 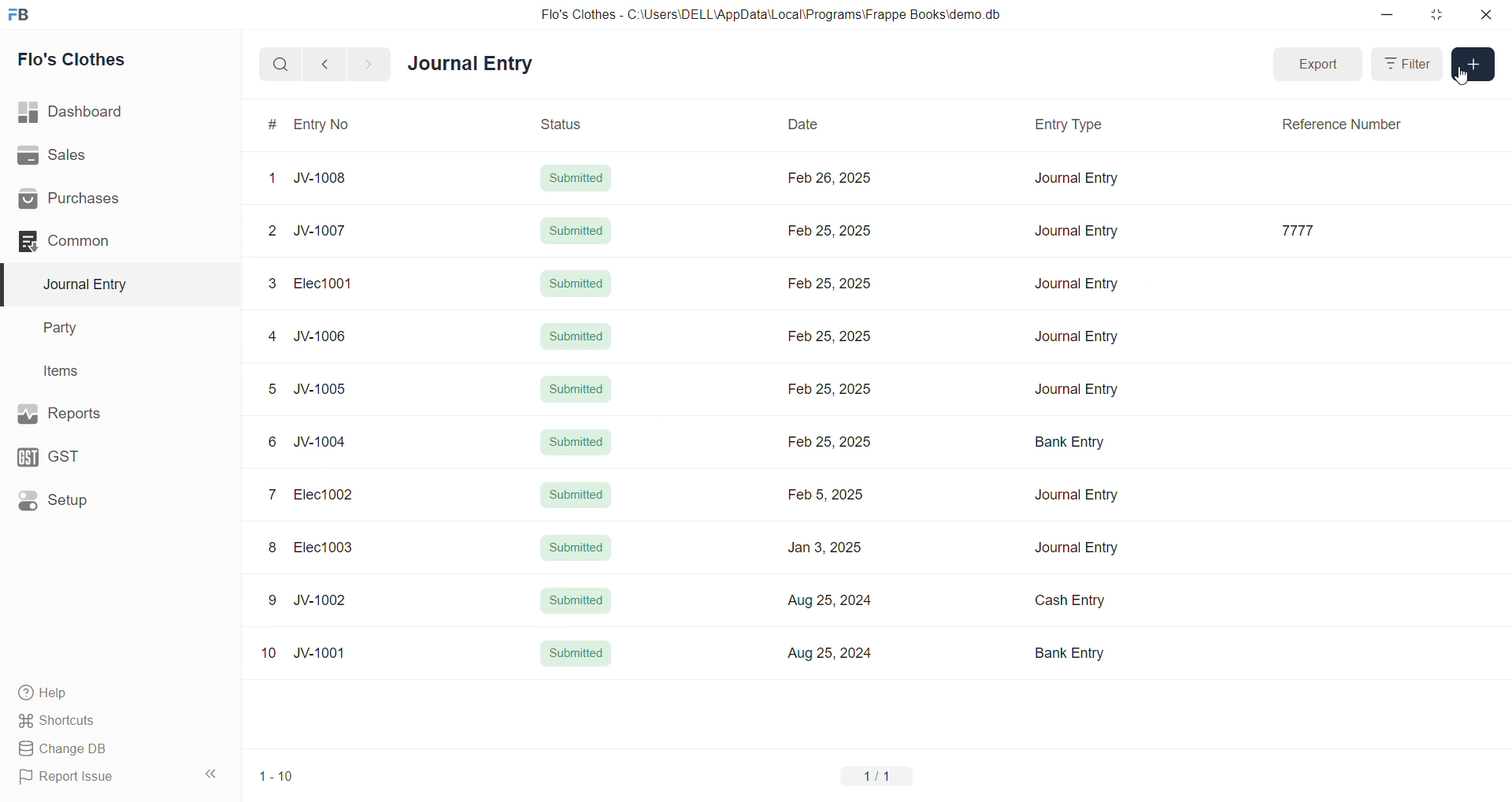 What do you see at coordinates (273, 495) in the screenshot?
I see `7` at bounding box center [273, 495].